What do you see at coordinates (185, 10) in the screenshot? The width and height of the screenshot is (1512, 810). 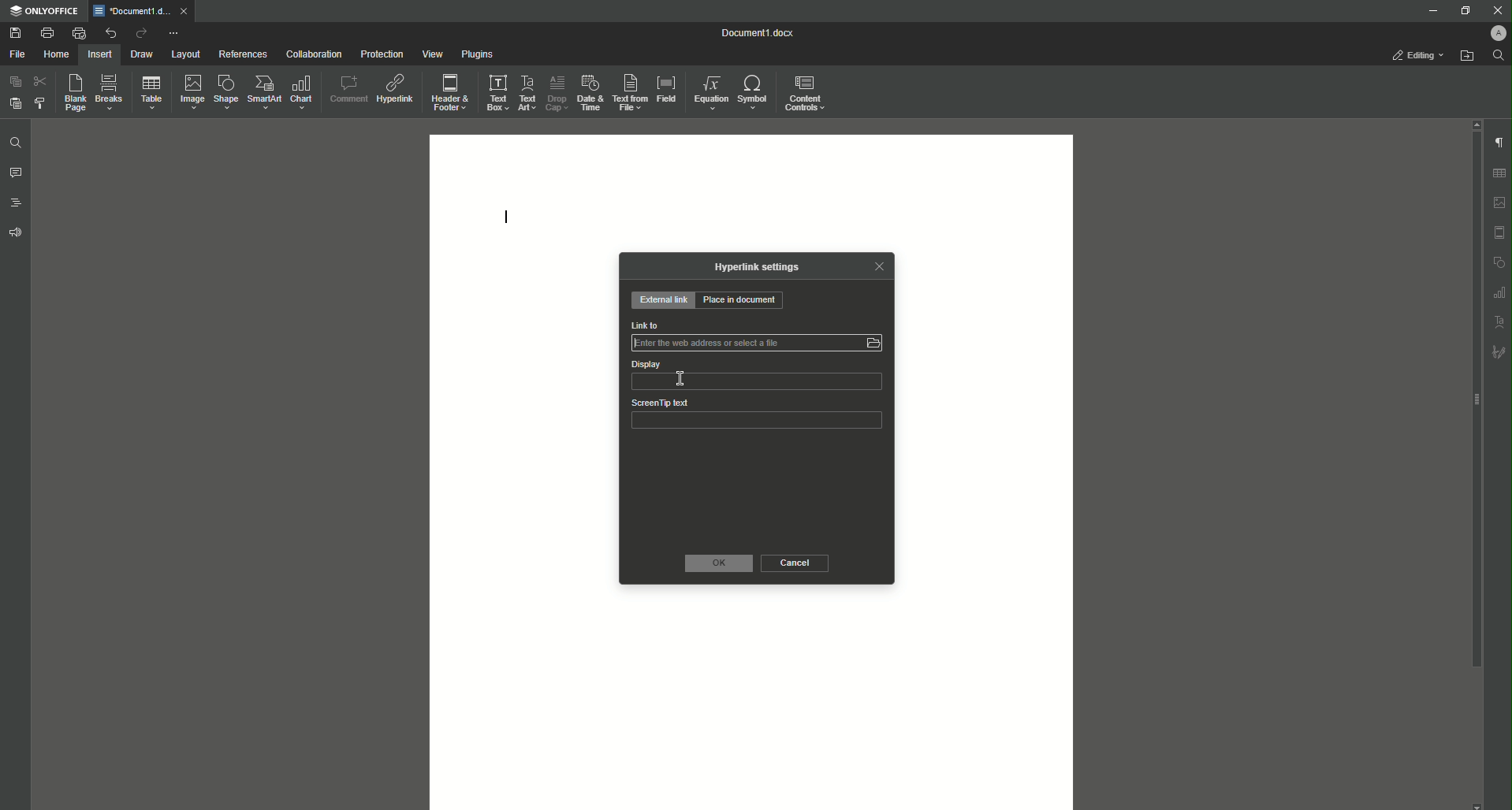 I see `close` at bounding box center [185, 10].